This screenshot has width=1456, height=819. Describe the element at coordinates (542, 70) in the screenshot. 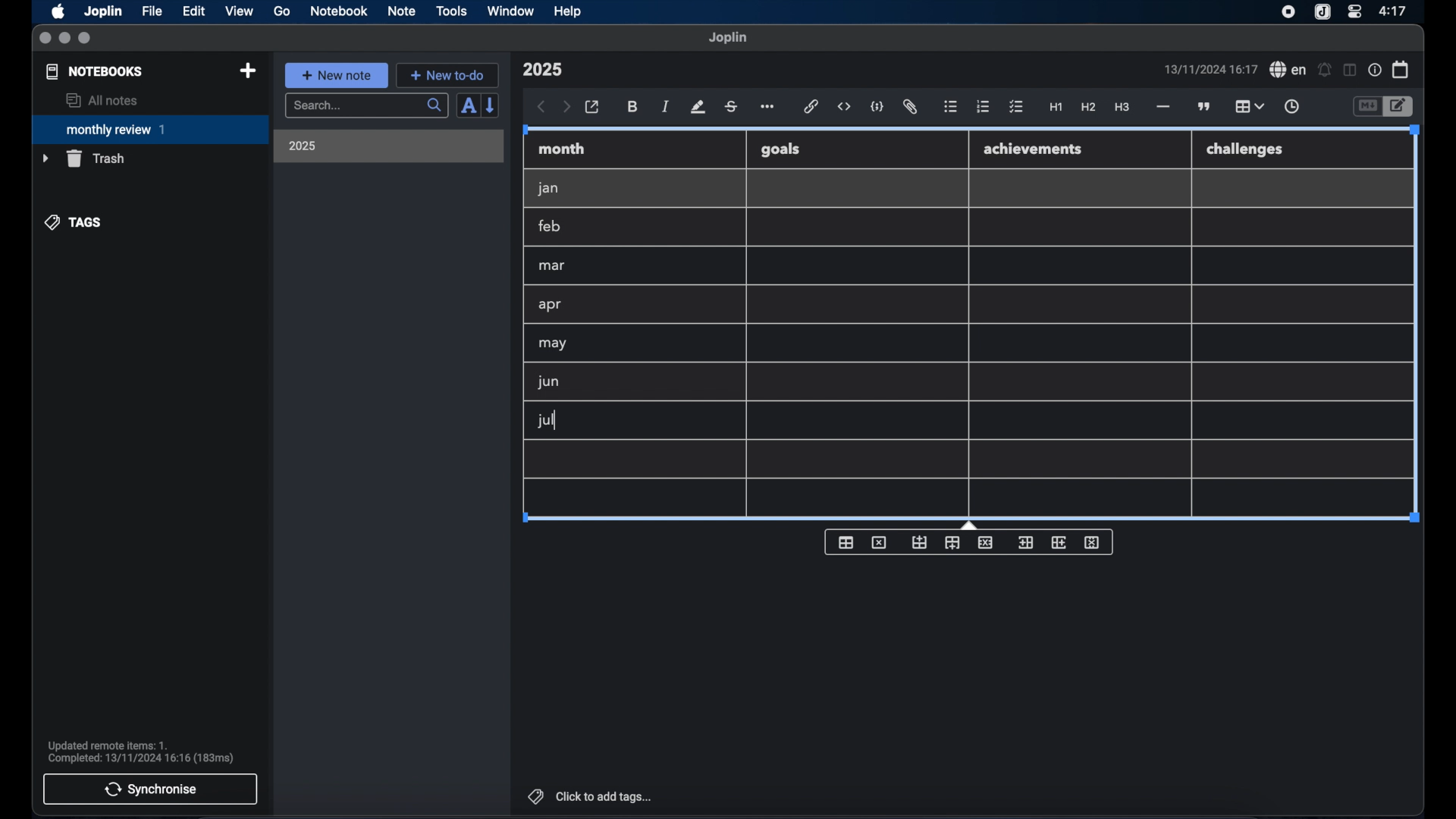

I see `note title` at that location.